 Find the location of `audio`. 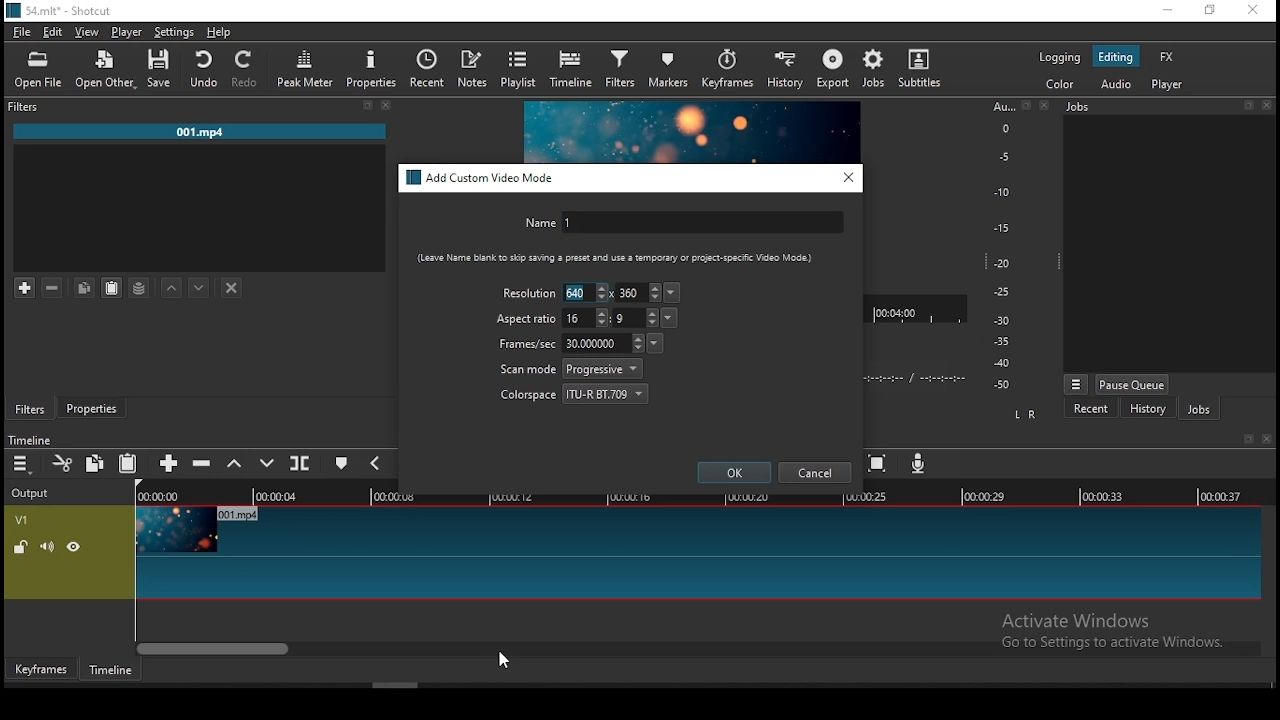

audio is located at coordinates (1115, 83).